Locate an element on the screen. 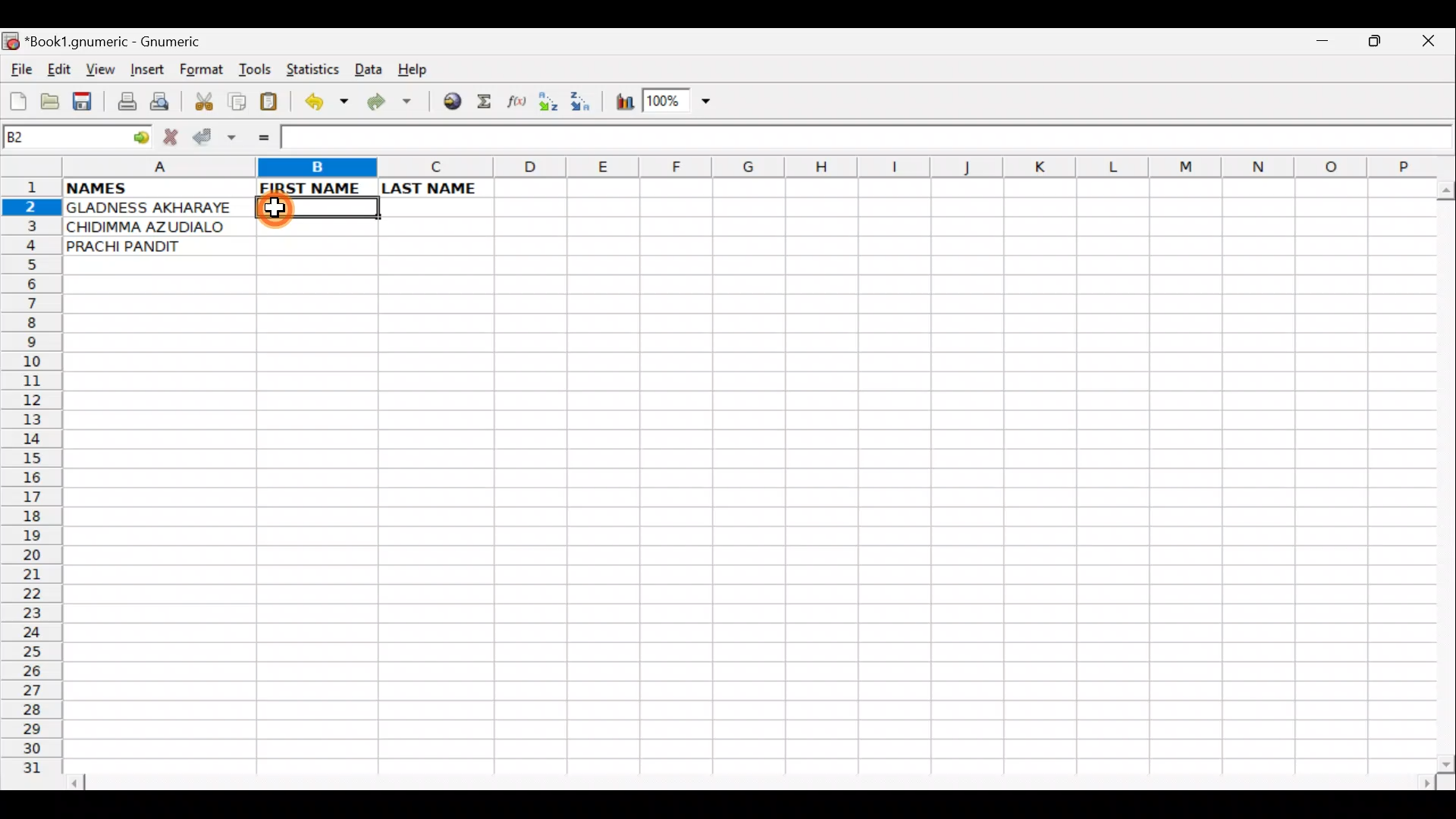  NAMES is located at coordinates (158, 189).